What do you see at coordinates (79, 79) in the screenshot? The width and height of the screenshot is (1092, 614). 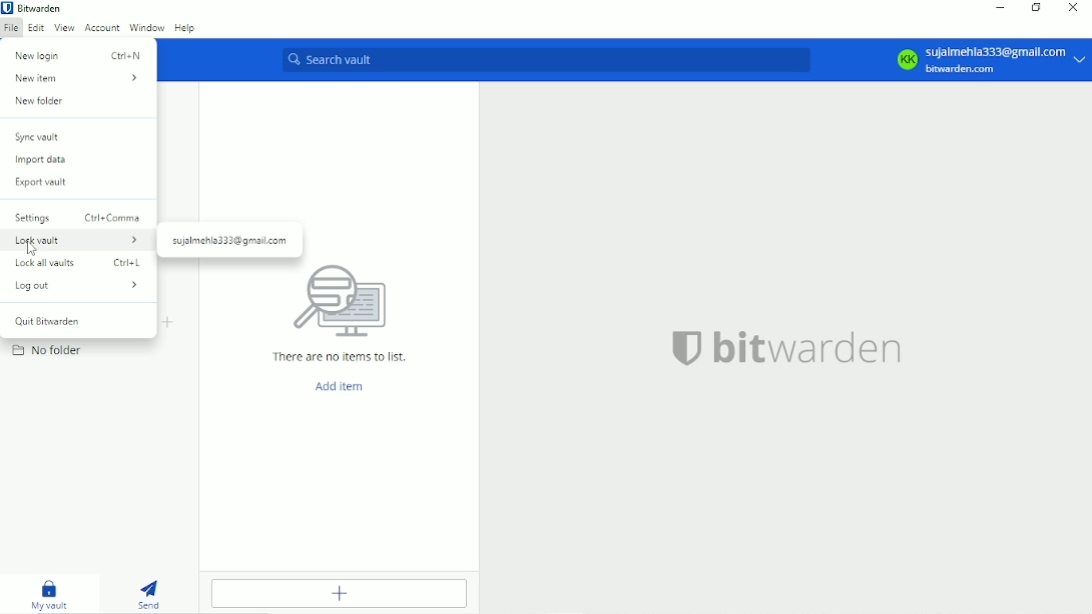 I see `New item` at bounding box center [79, 79].